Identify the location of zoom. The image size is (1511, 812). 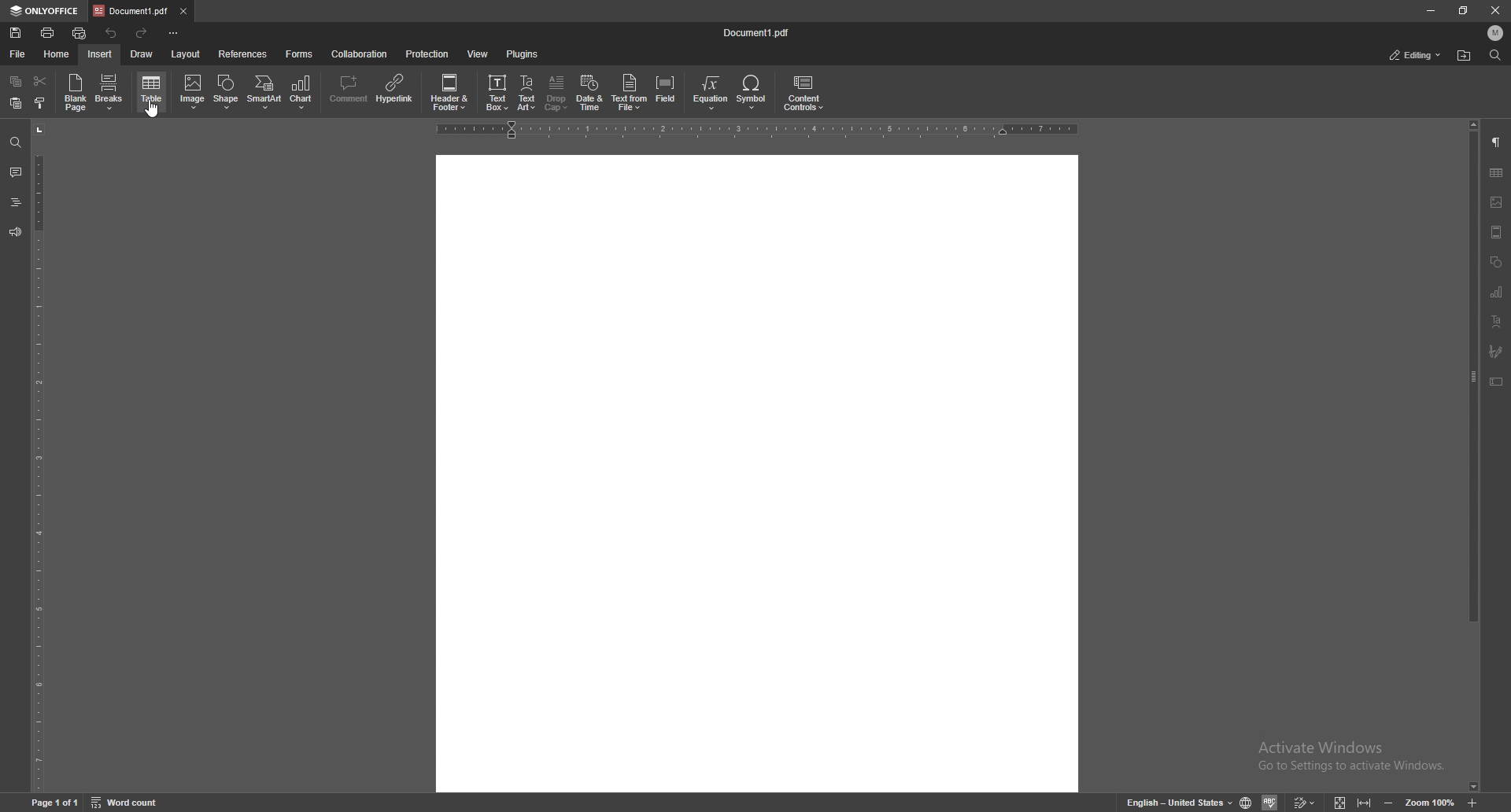
(1429, 801).